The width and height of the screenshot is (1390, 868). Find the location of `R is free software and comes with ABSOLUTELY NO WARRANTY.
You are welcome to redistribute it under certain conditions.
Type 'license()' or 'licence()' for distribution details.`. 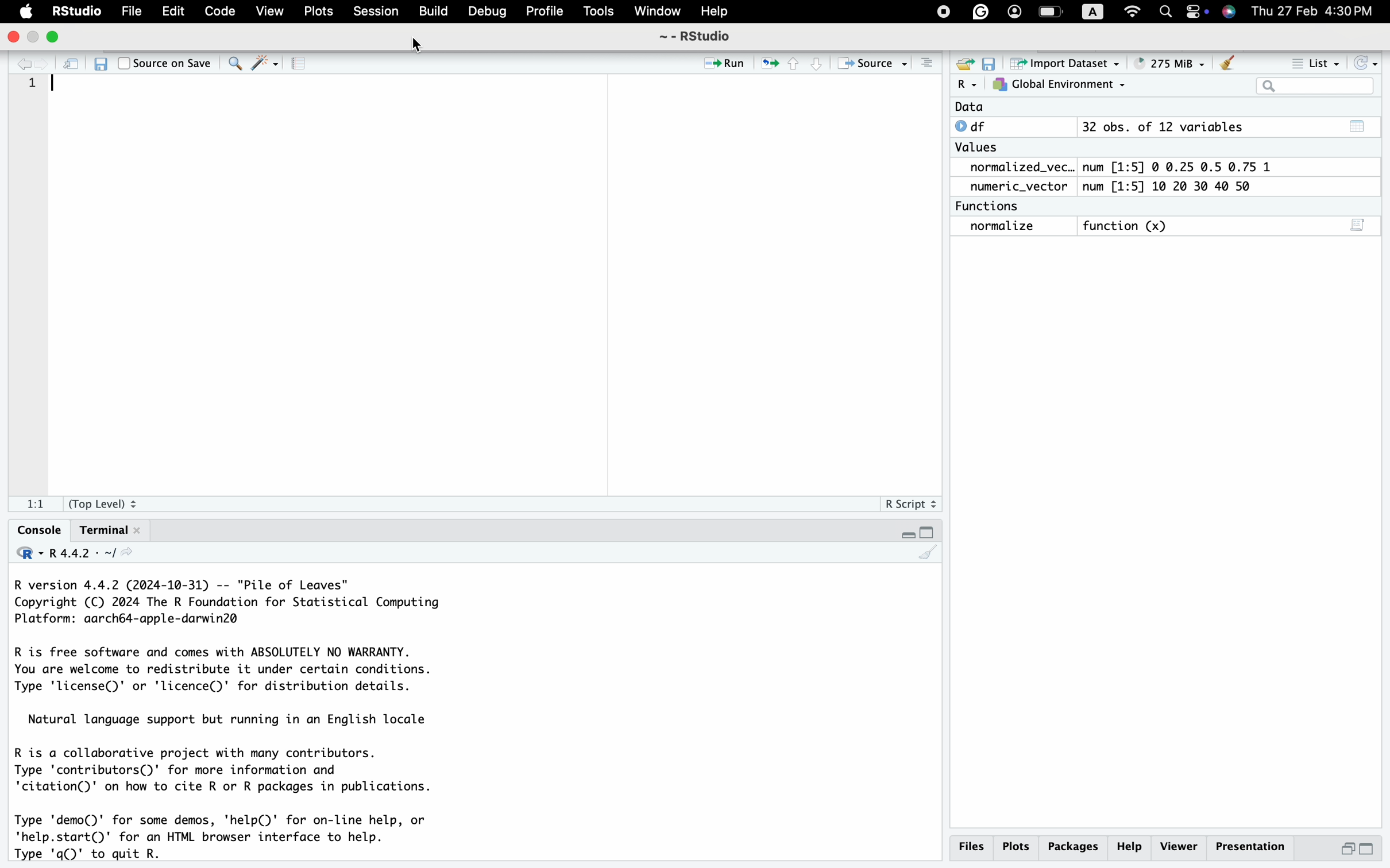

R is free software and comes with ABSOLUTELY NO WARRANTY.
You are welcome to redistribute it under certain conditions.
Type 'license()' or 'licence()' for distribution details. is located at coordinates (250, 672).